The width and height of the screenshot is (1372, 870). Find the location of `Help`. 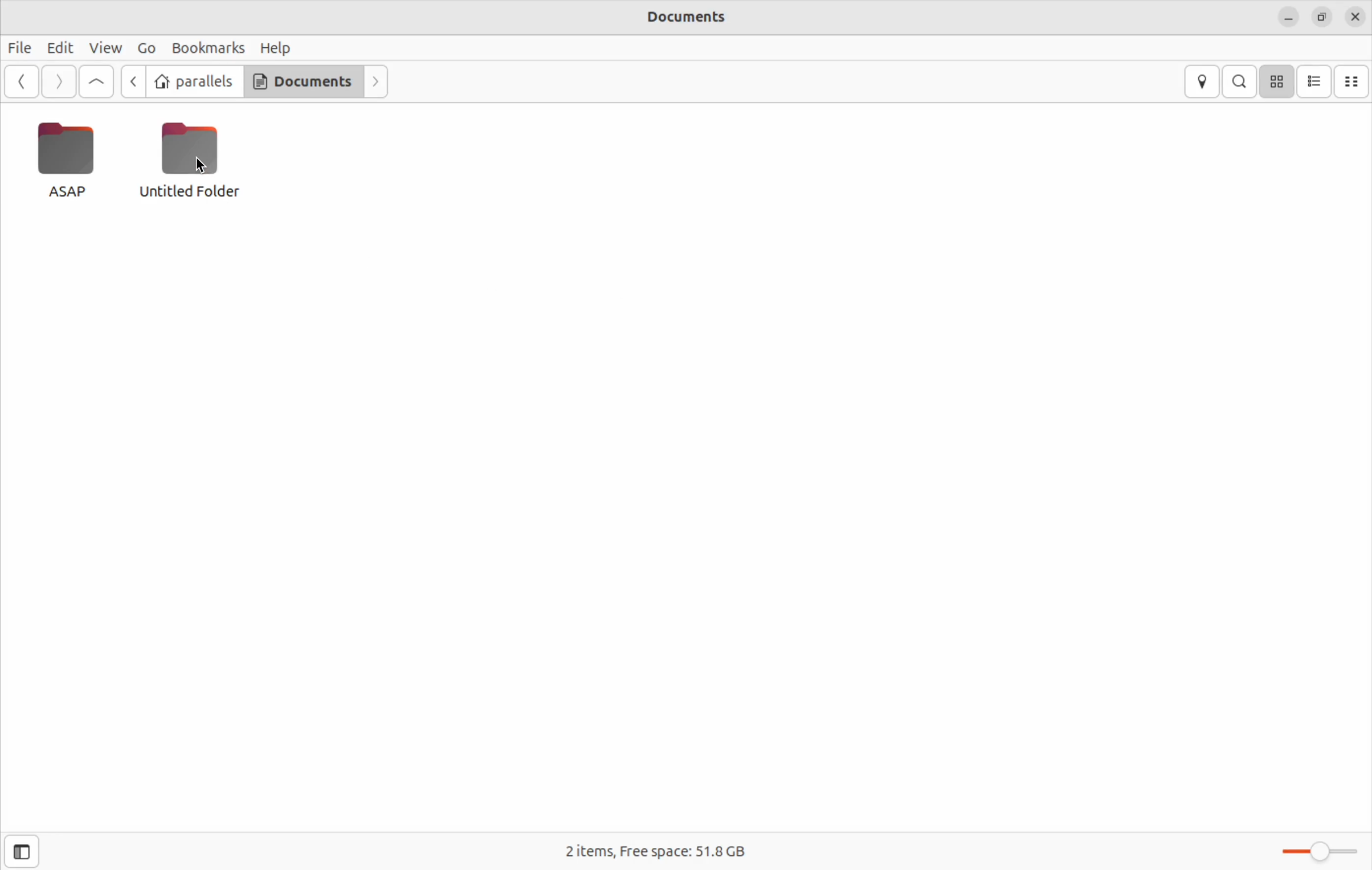

Help is located at coordinates (276, 45).